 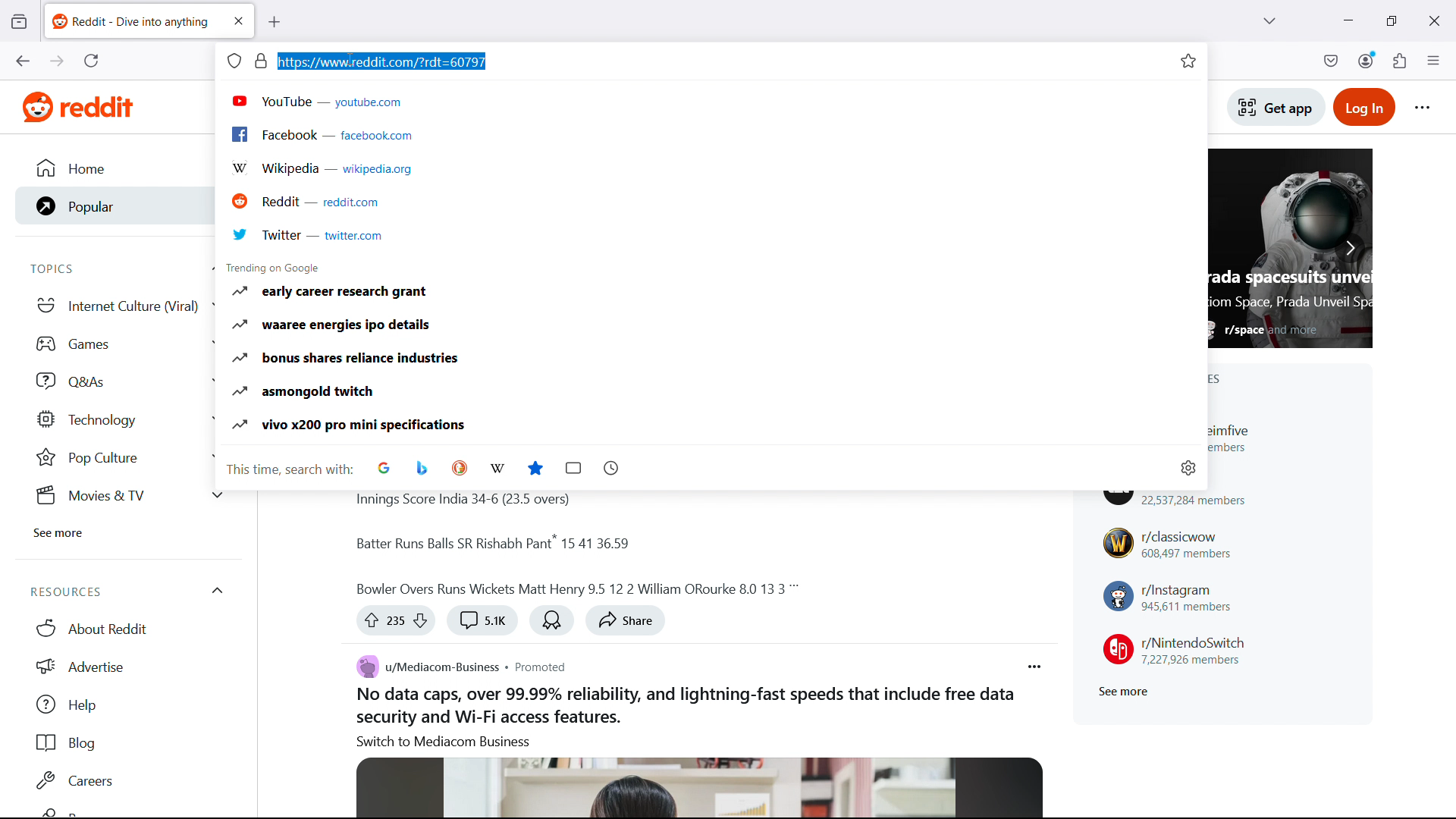 What do you see at coordinates (1268, 19) in the screenshot?
I see `list all tabs` at bounding box center [1268, 19].